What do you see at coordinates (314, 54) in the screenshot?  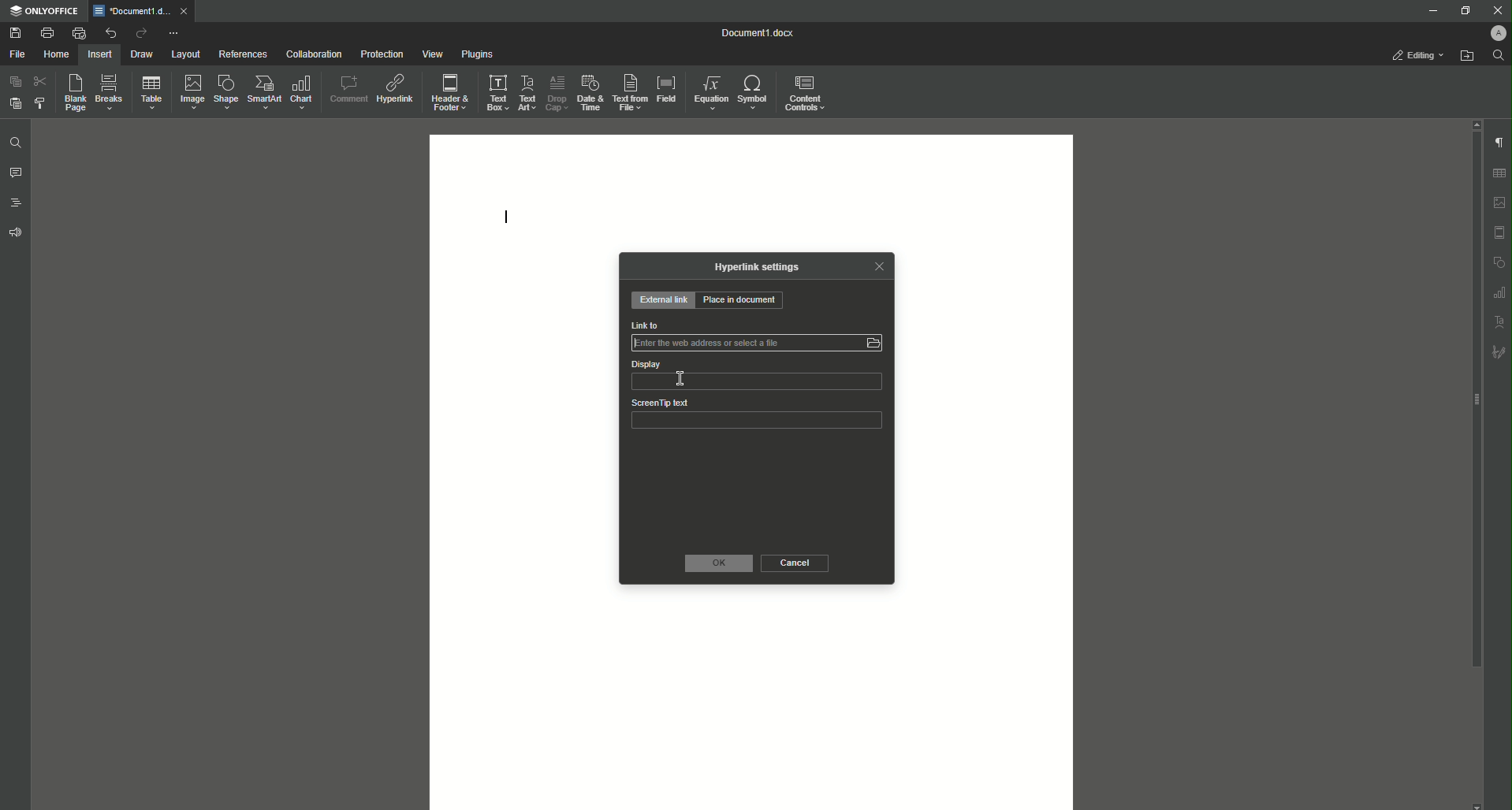 I see `Collaboration` at bounding box center [314, 54].